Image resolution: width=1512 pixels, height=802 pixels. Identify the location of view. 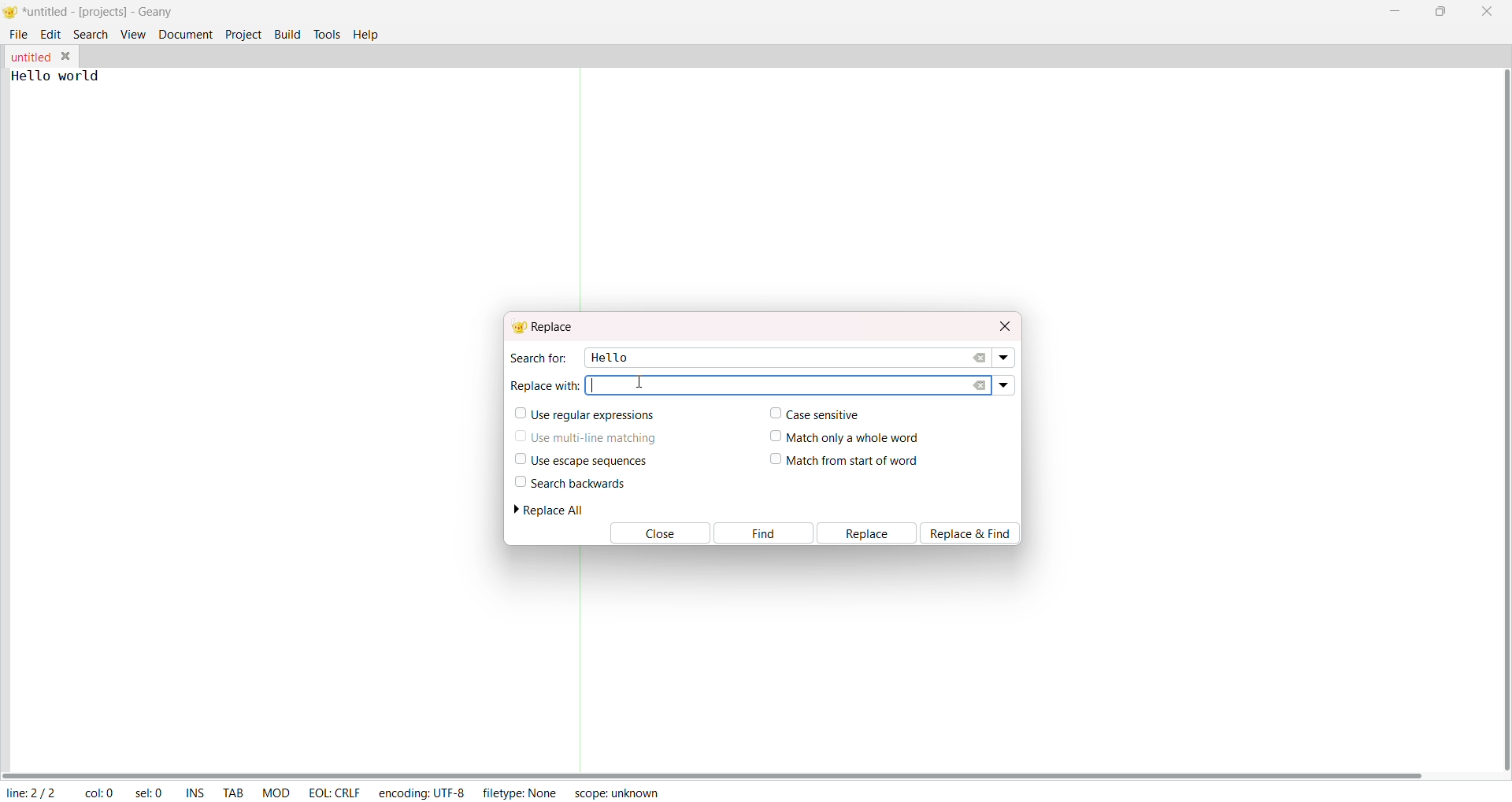
(132, 34).